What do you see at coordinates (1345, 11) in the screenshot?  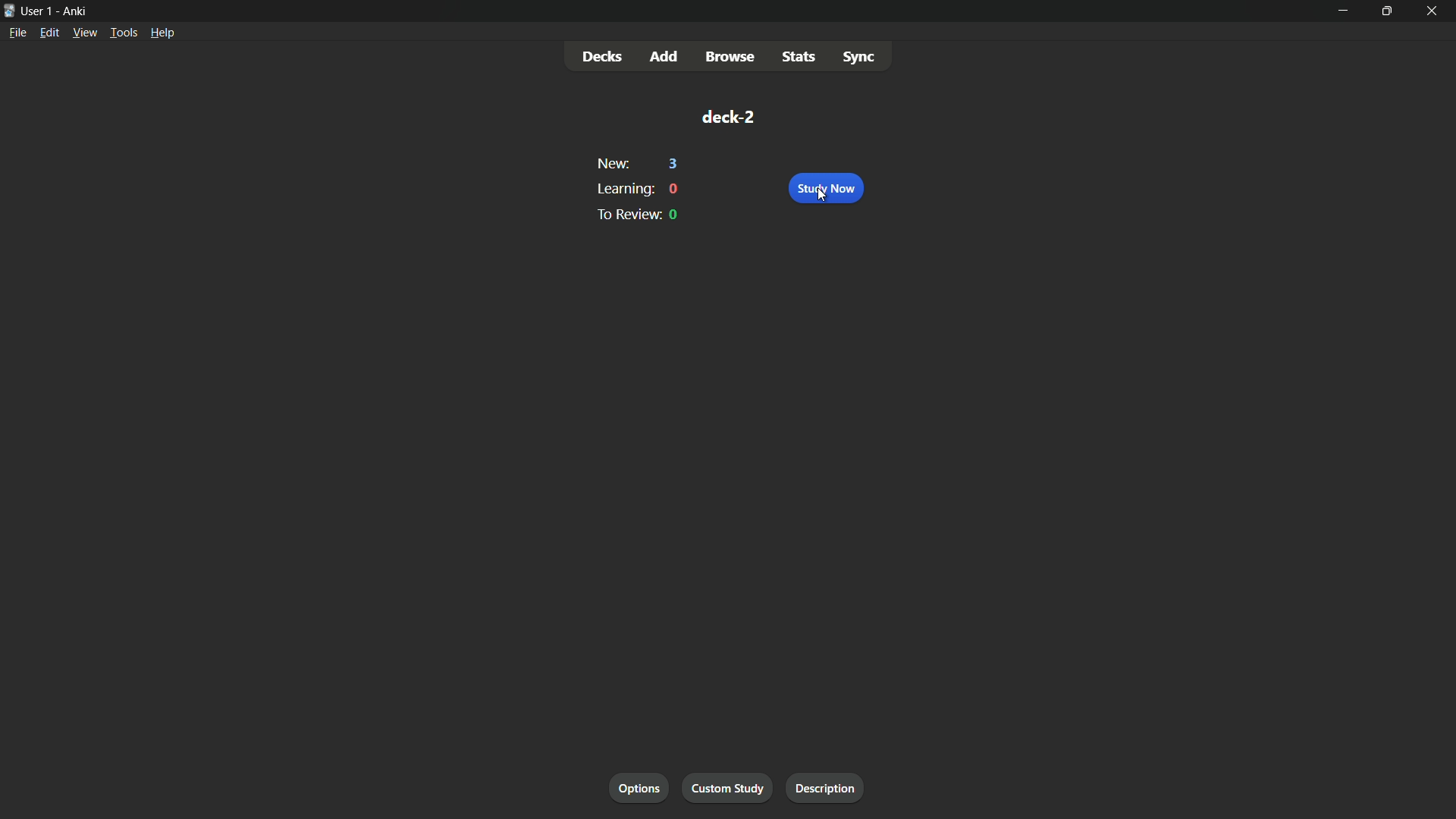 I see `minimize` at bounding box center [1345, 11].